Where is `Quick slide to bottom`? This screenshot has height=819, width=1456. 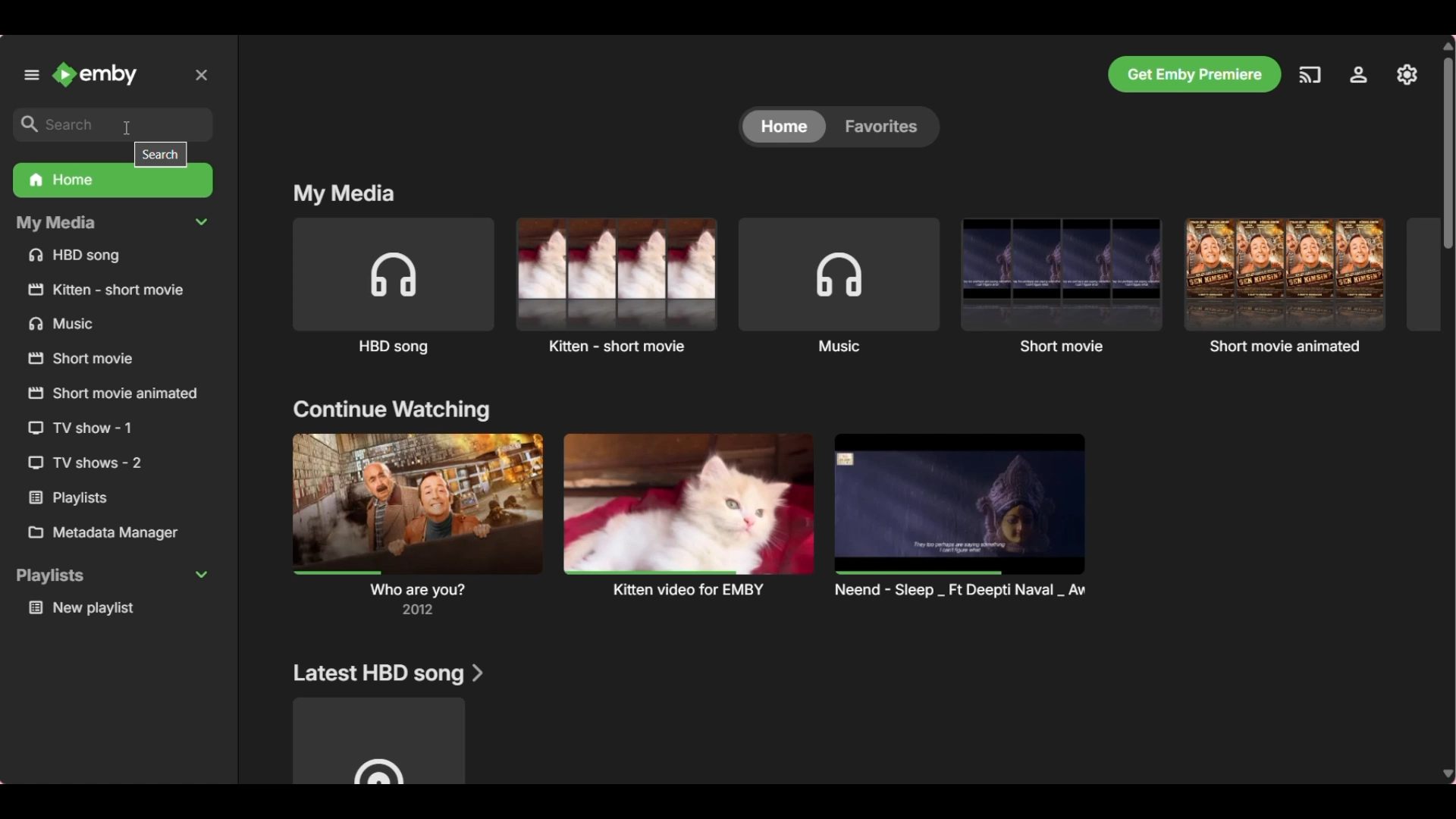 Quick slide to bottom is located at coordinates (1448, 775).